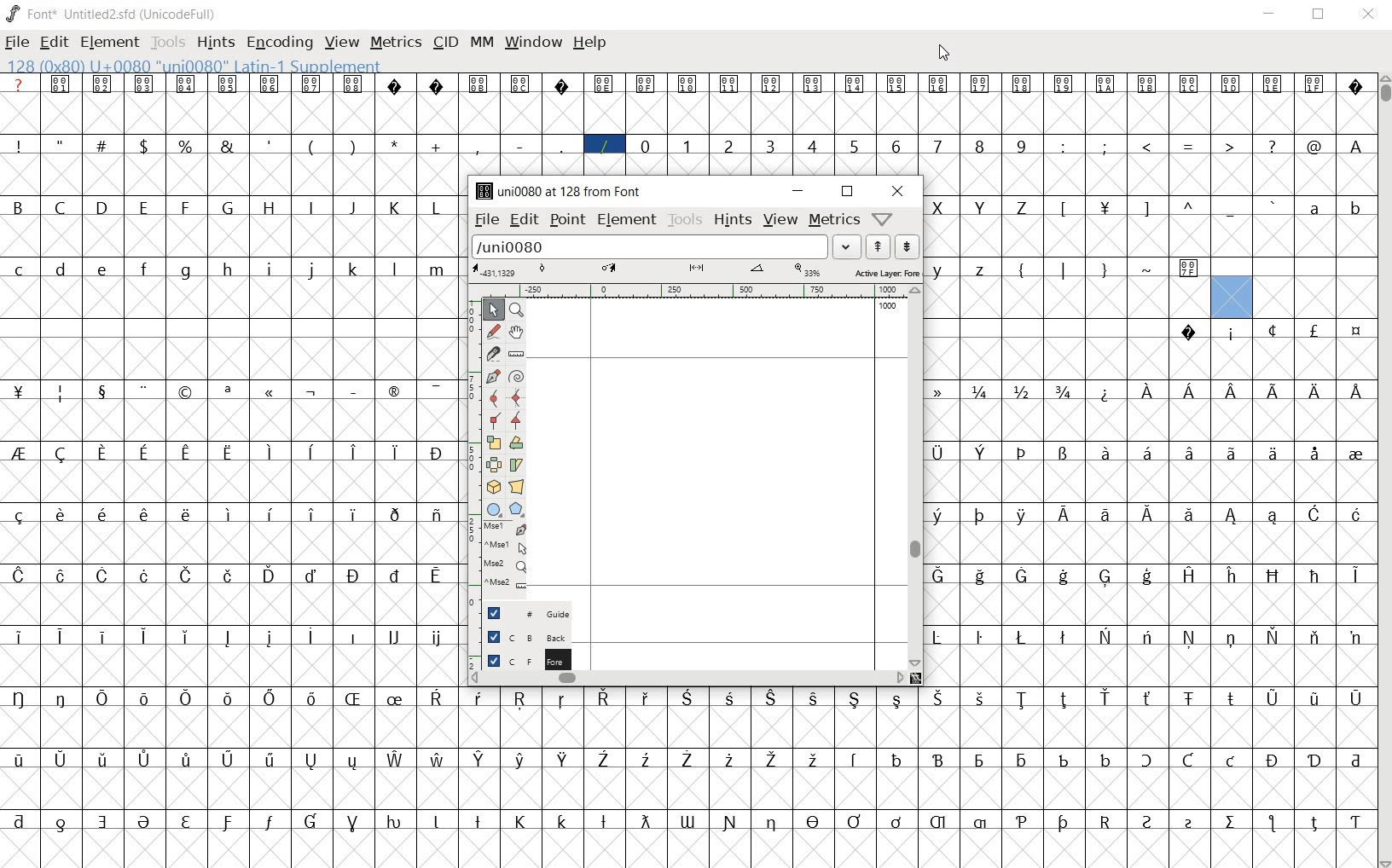 The height and width of the screenshot is (868, 1392). What do you see at coordinates (1106, 452) in the screenshot?
I see `glyph` at bounding box center [1106, 452].